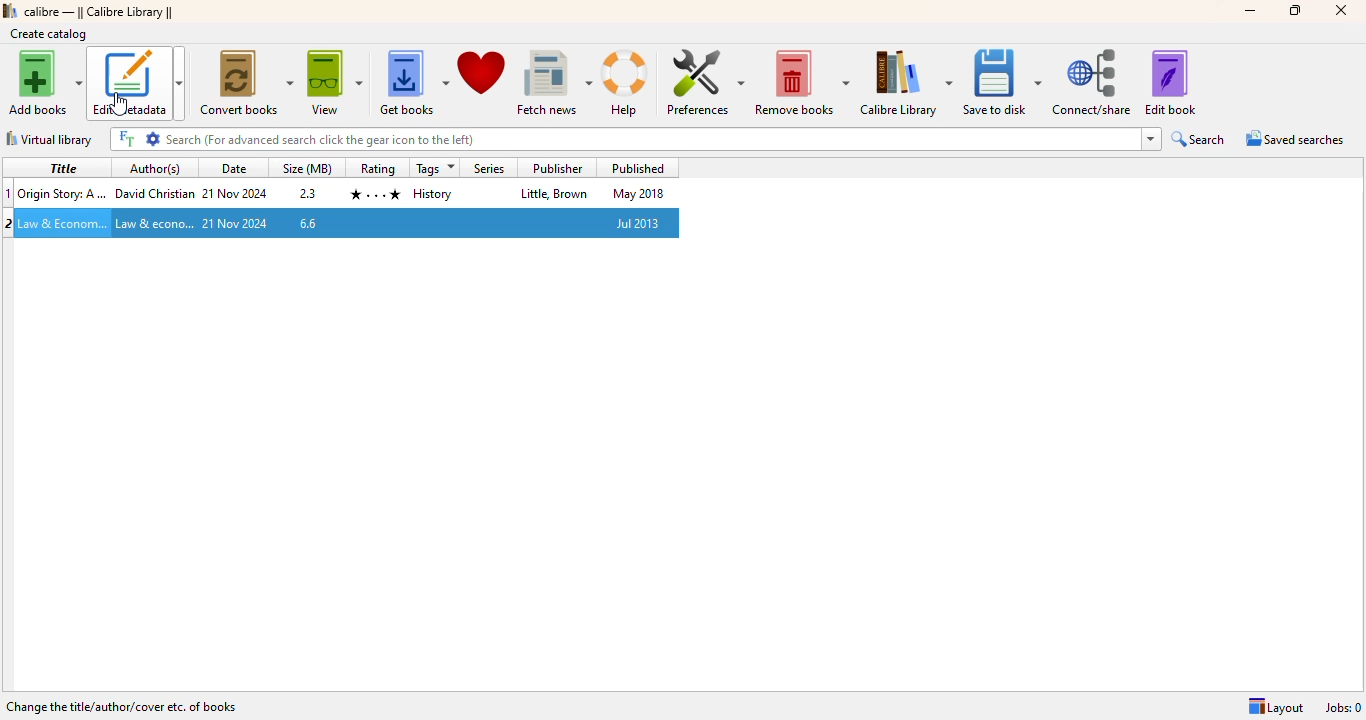 This screenshot has height=720, width=1366. What do you see at coordinates (9, 223) in the screenshot?
I see `2` at bounding box center [9, 223].